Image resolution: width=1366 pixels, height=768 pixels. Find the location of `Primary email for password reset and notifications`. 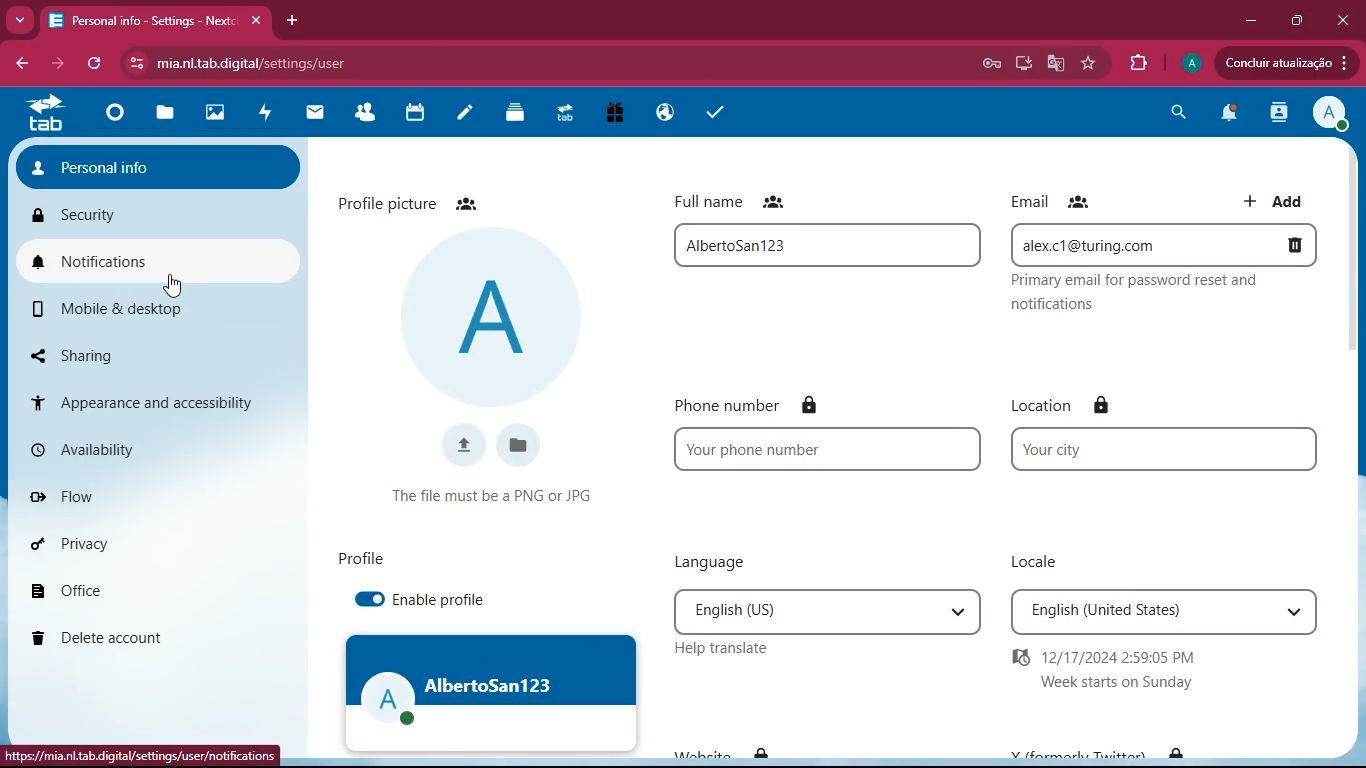

Primary email for password reset and notifications is located at coordinates (1134, 293).